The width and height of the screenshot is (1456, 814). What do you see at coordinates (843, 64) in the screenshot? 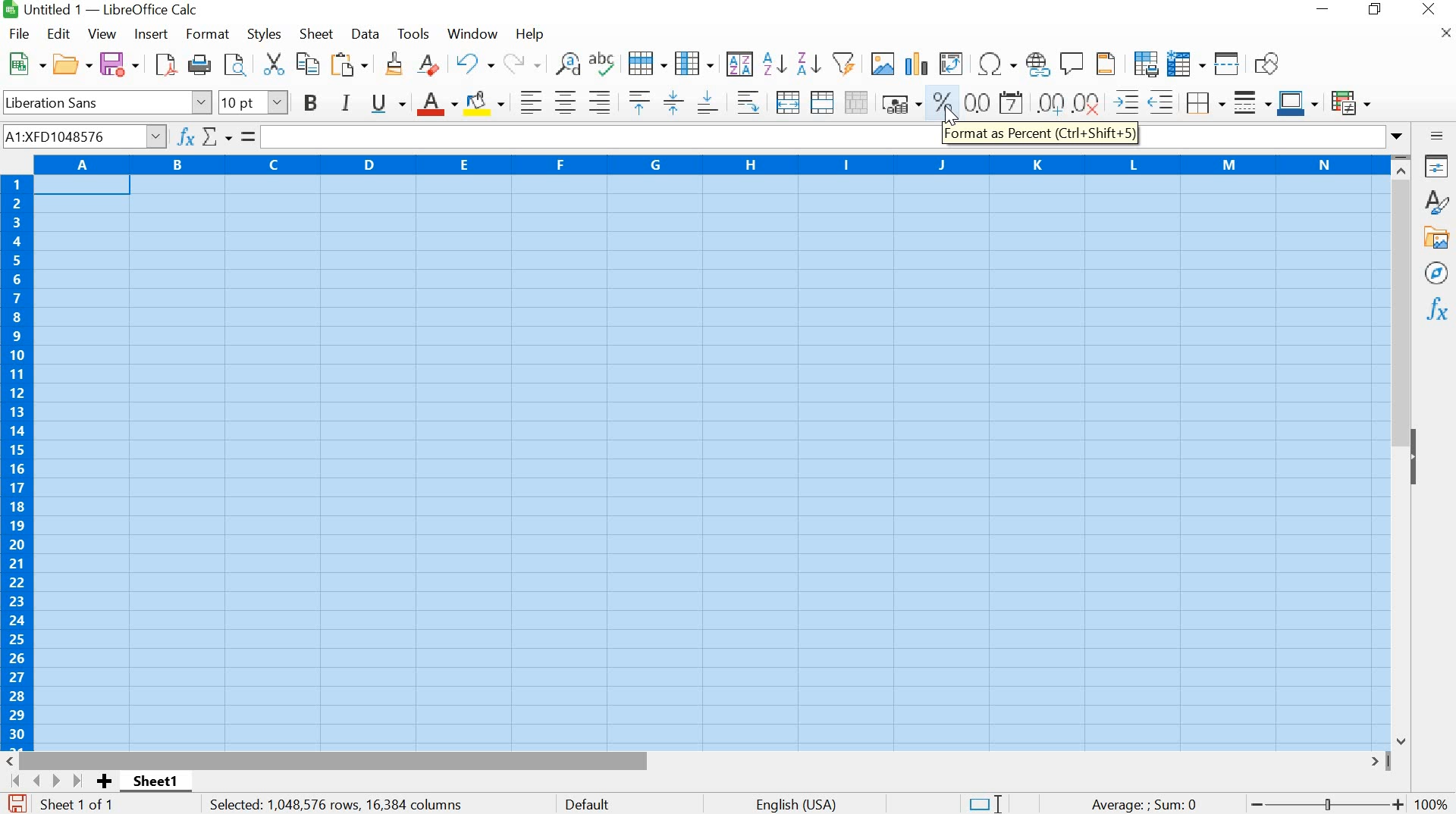
I see `AutoFilter` at bounding box center [843, 64].